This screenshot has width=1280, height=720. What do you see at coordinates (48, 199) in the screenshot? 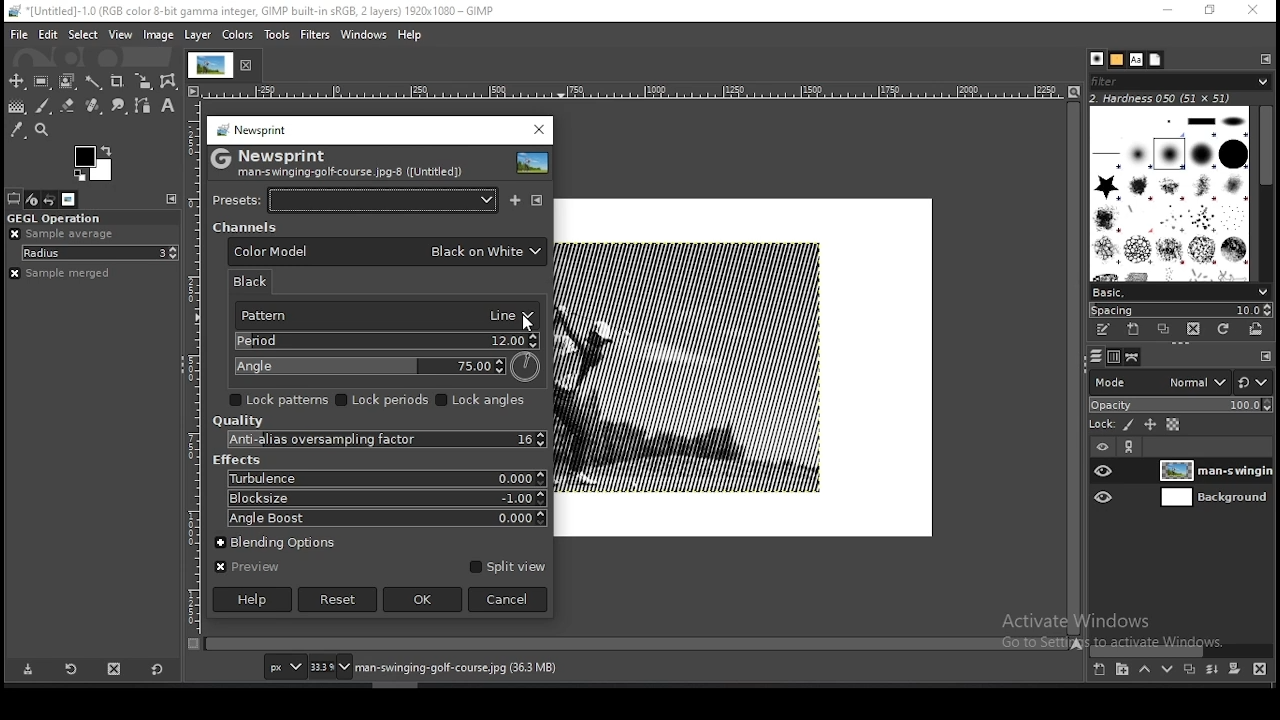
I see `undo history` at bounding box center [48, 199].